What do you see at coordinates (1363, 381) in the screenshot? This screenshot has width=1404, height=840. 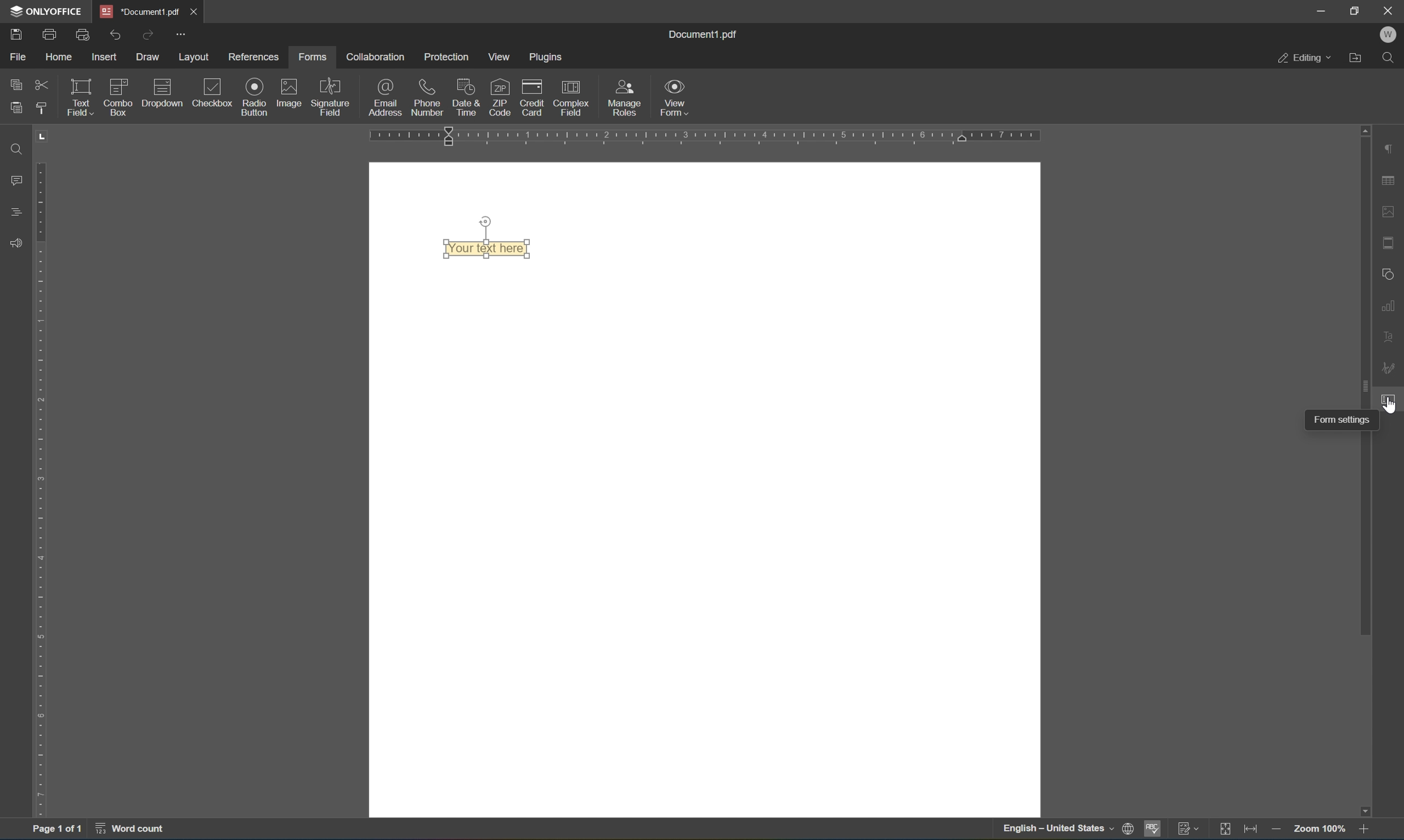 I see `Scroll bar` at bounding box center [1363, 381].